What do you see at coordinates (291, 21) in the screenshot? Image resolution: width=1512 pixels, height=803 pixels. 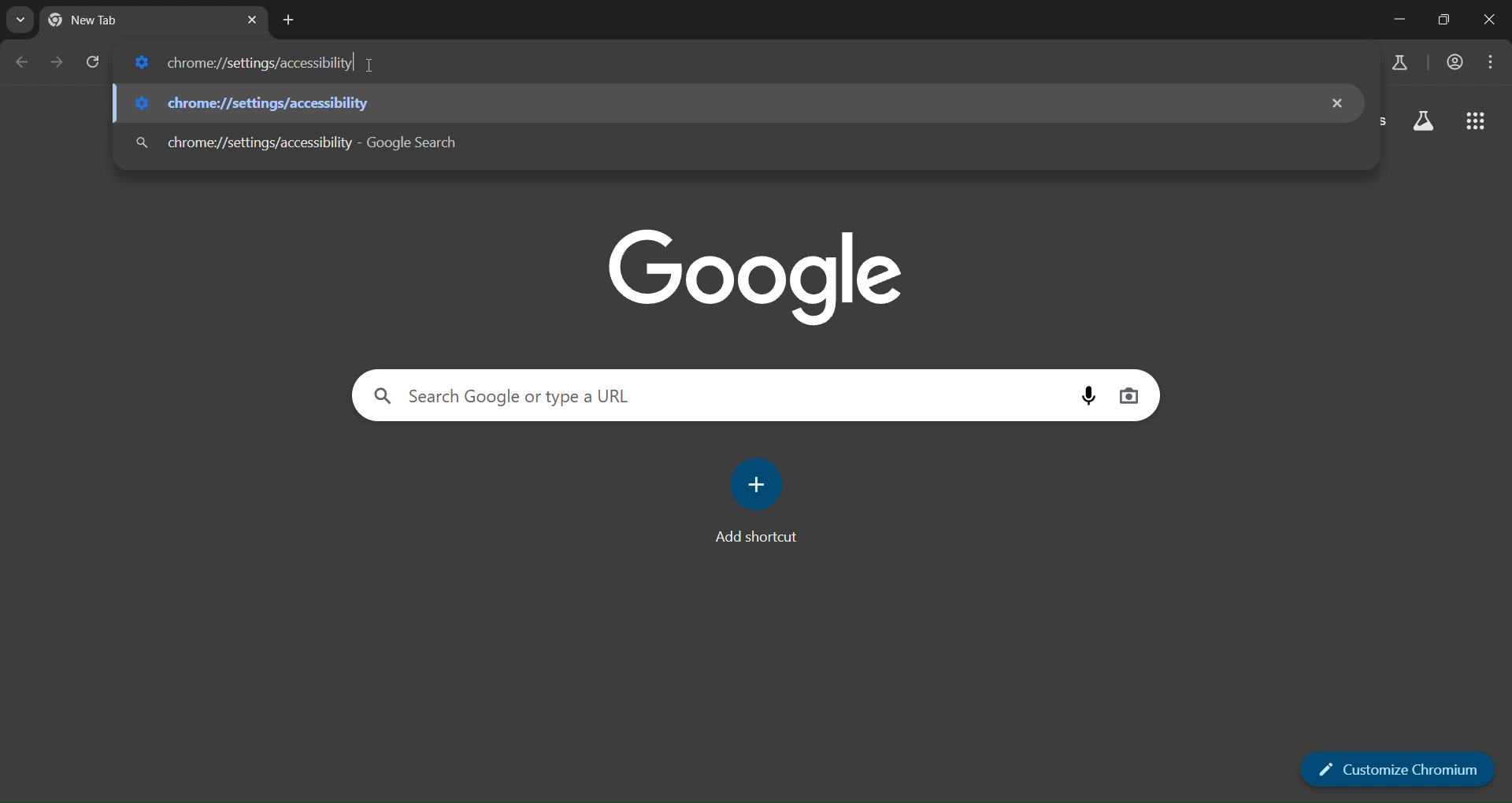 I see `new tab` at bounding box center [291, 21].